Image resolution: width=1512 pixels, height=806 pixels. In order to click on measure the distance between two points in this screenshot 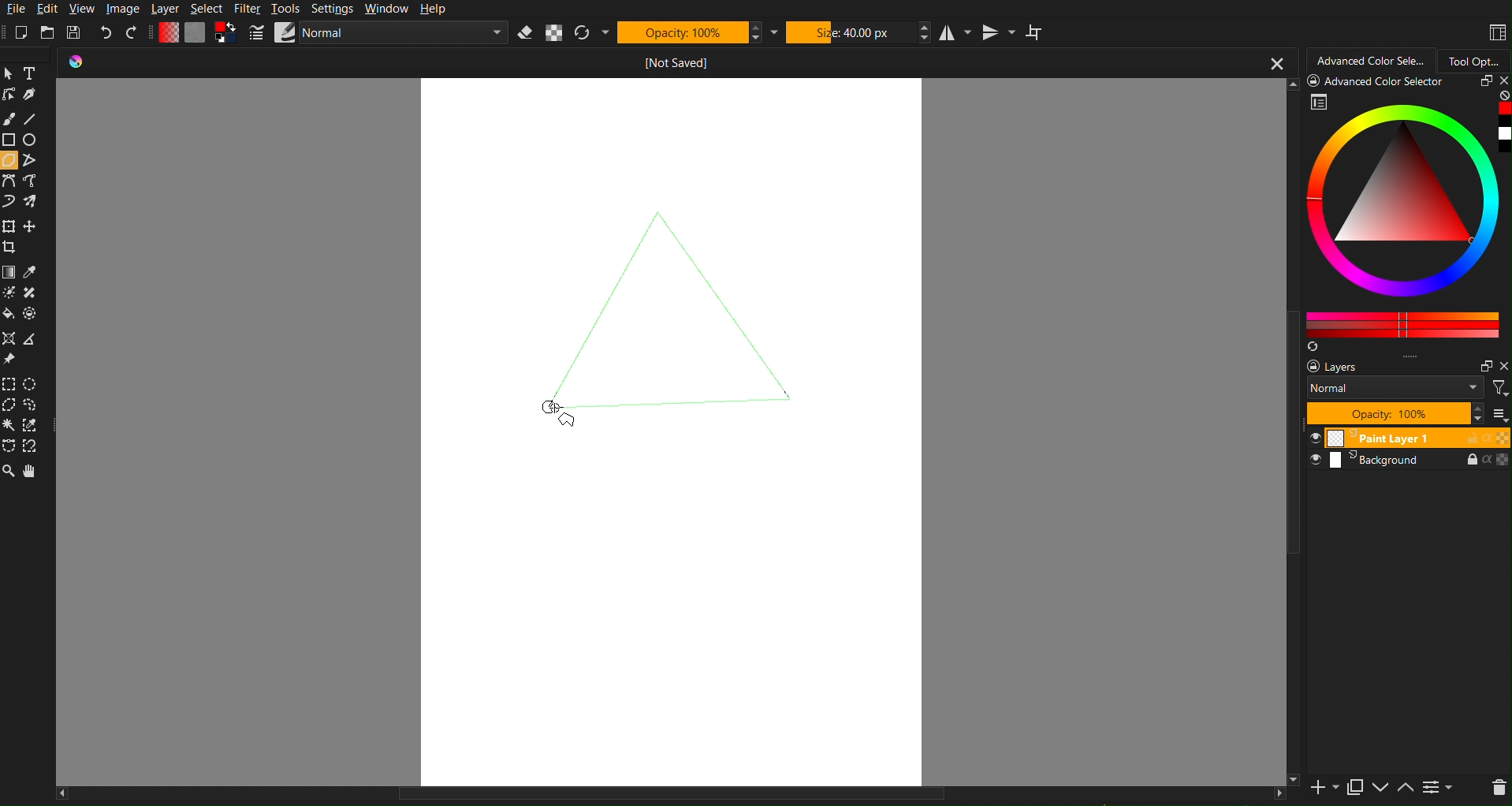, I will do `click(35, 341)`.